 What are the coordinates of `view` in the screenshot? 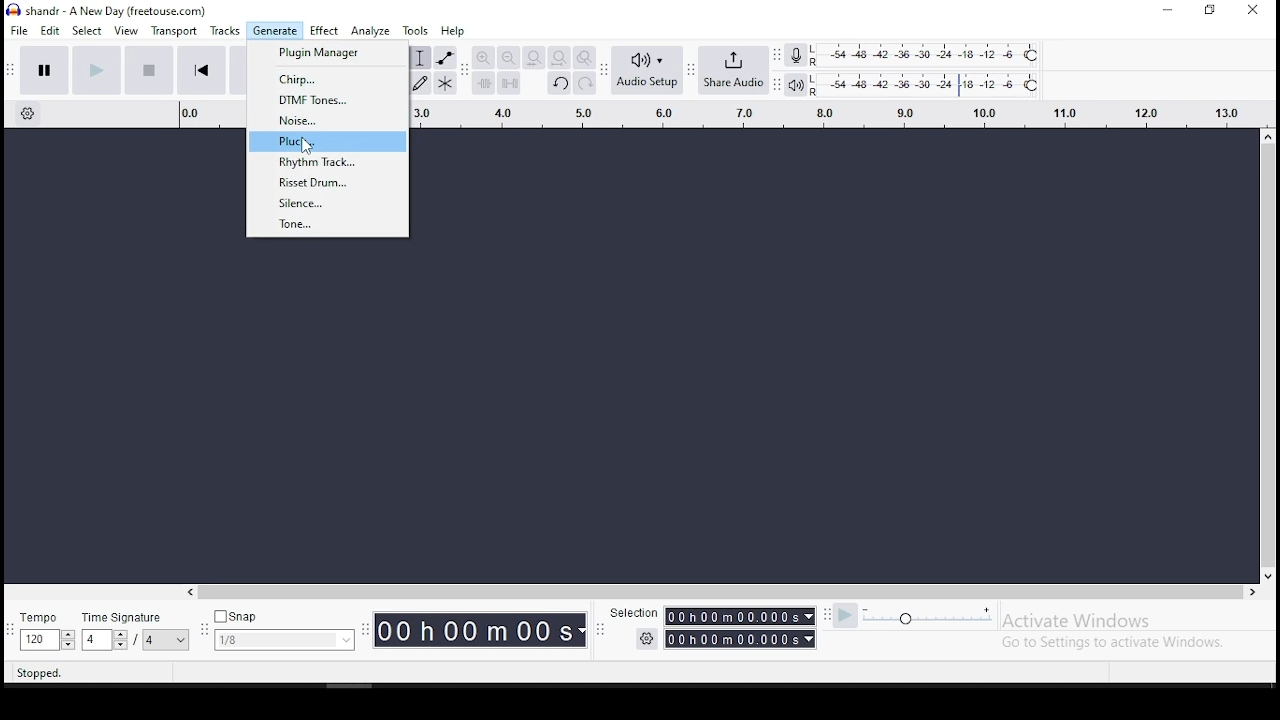 It's located at (125, 31).